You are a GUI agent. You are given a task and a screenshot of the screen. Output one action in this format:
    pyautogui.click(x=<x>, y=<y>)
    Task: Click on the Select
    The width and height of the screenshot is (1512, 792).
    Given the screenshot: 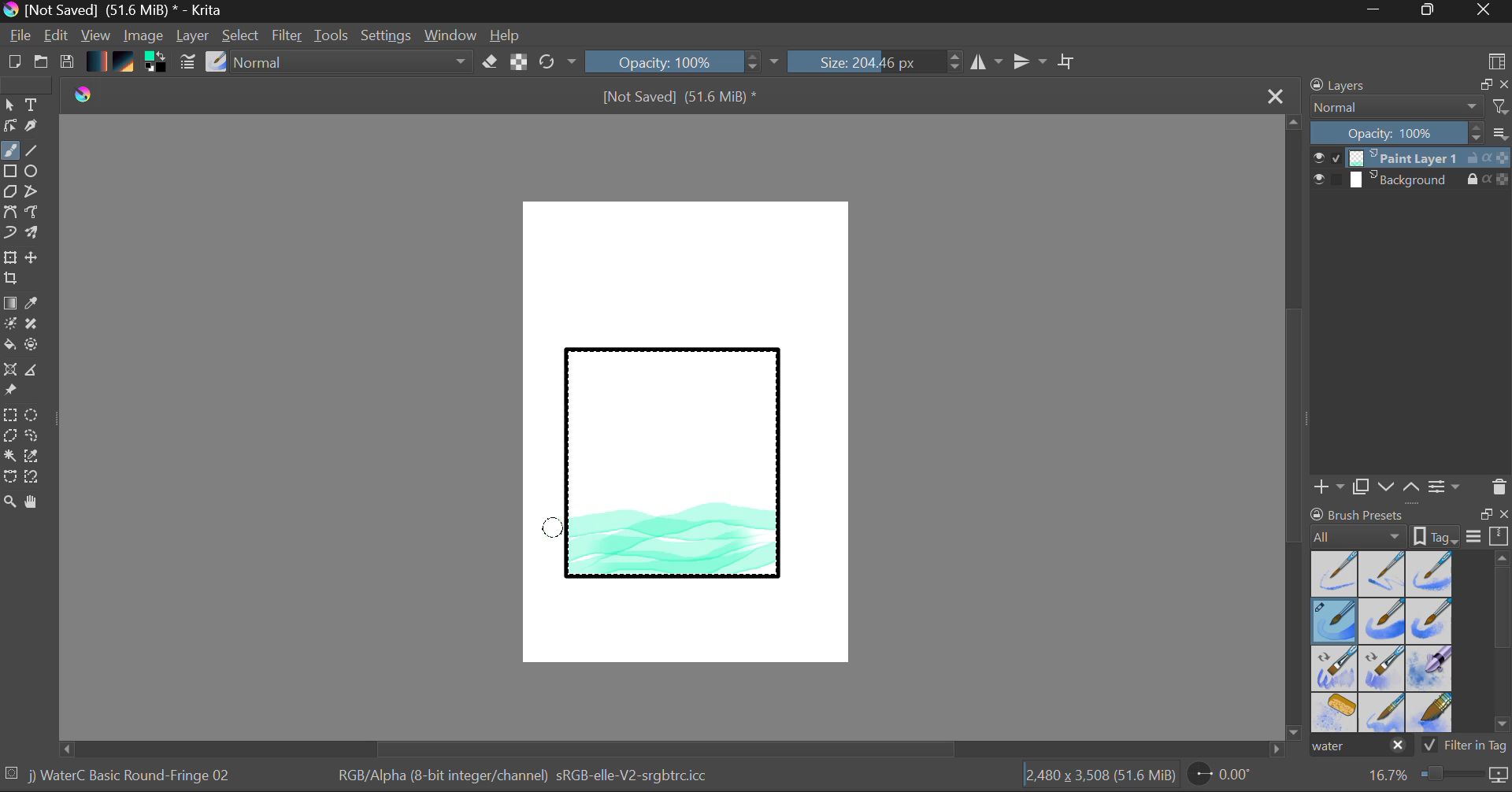 What is the action you would take?
    pyautogui.click(x=242, y=36)
    